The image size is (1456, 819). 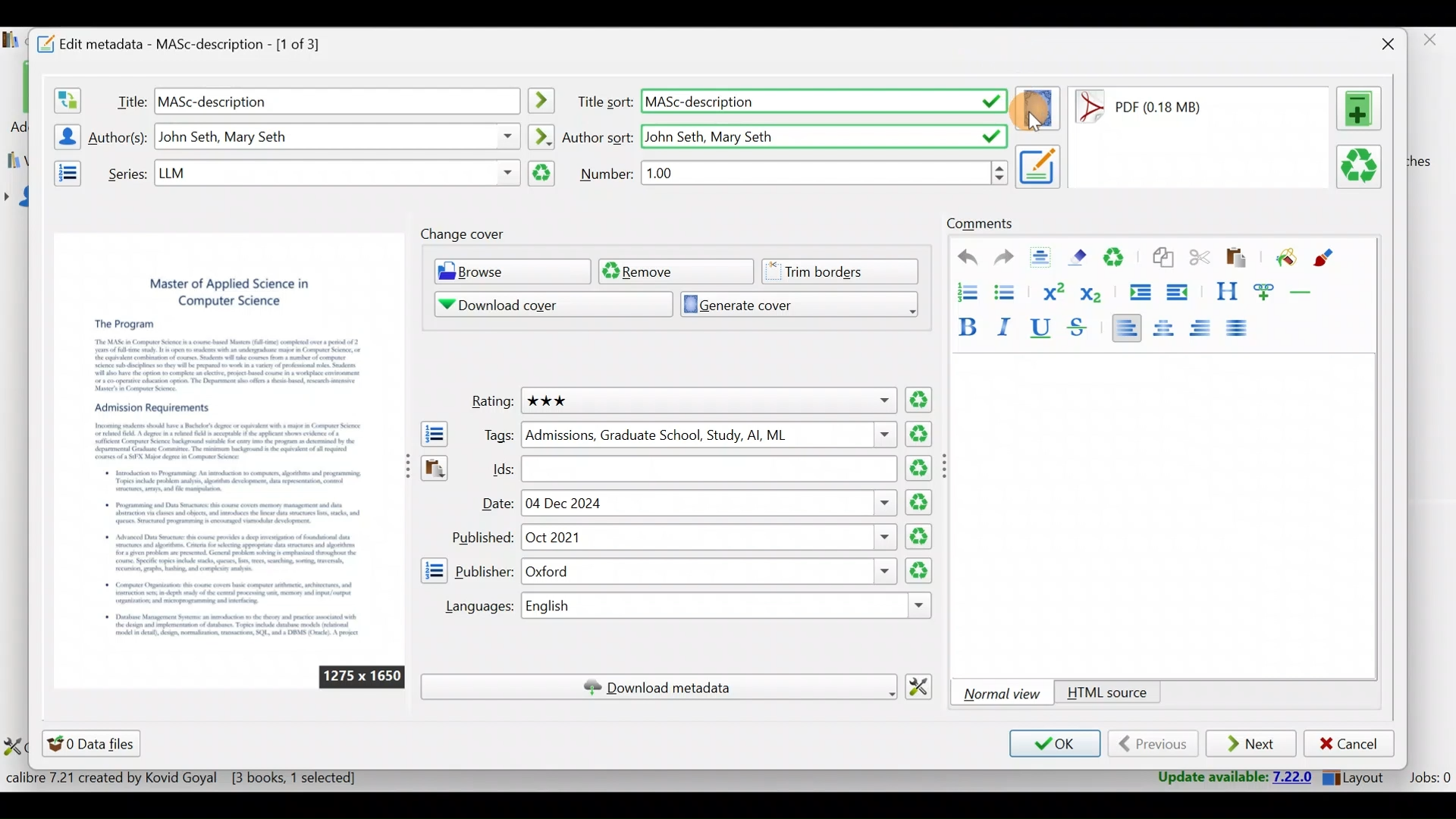 What do you see at coordinates (980, 224) in the screenshot?
I see `Comments` at bounding box center [980, 224].